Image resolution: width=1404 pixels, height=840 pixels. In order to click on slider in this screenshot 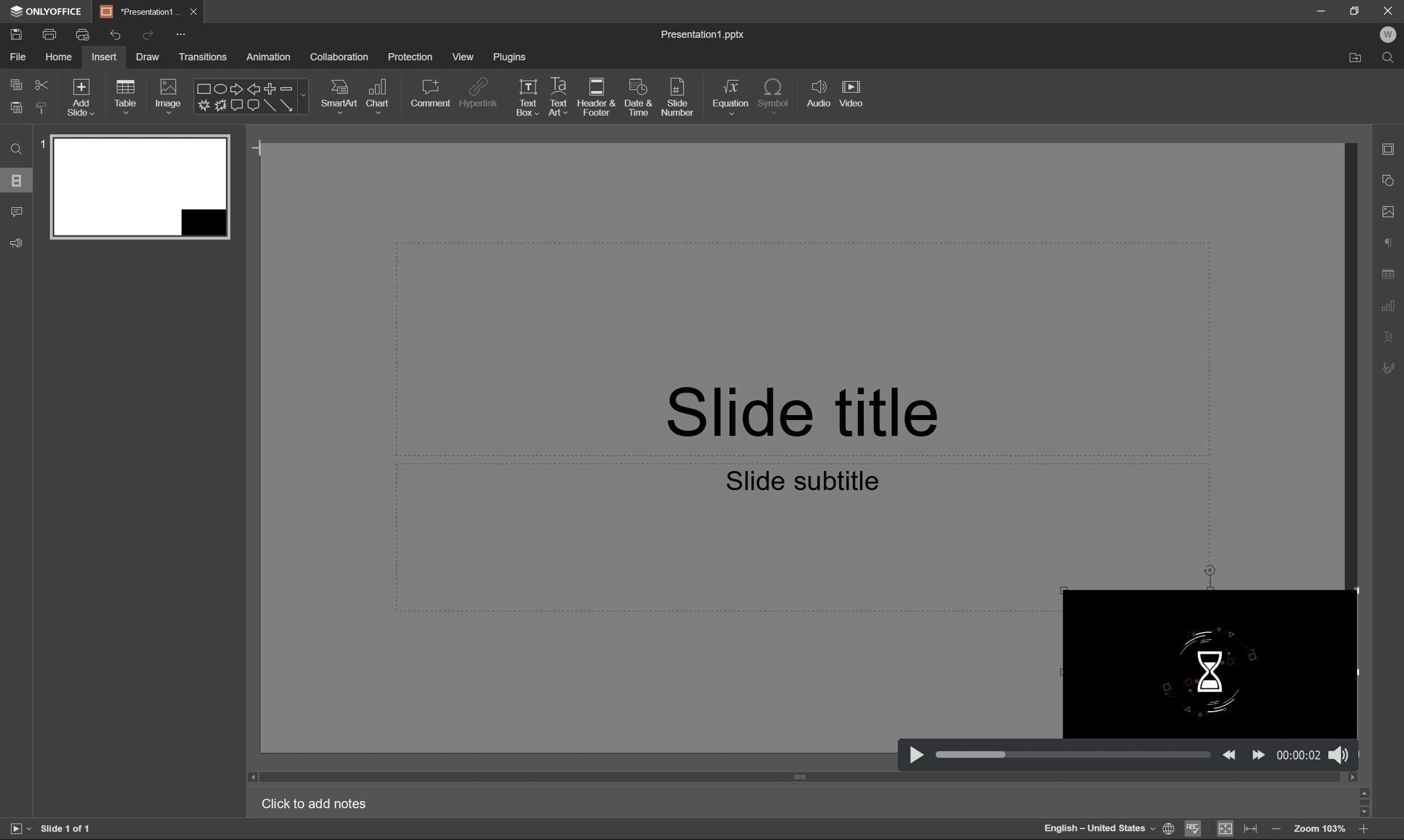, I will do `click(1073, 756)`.